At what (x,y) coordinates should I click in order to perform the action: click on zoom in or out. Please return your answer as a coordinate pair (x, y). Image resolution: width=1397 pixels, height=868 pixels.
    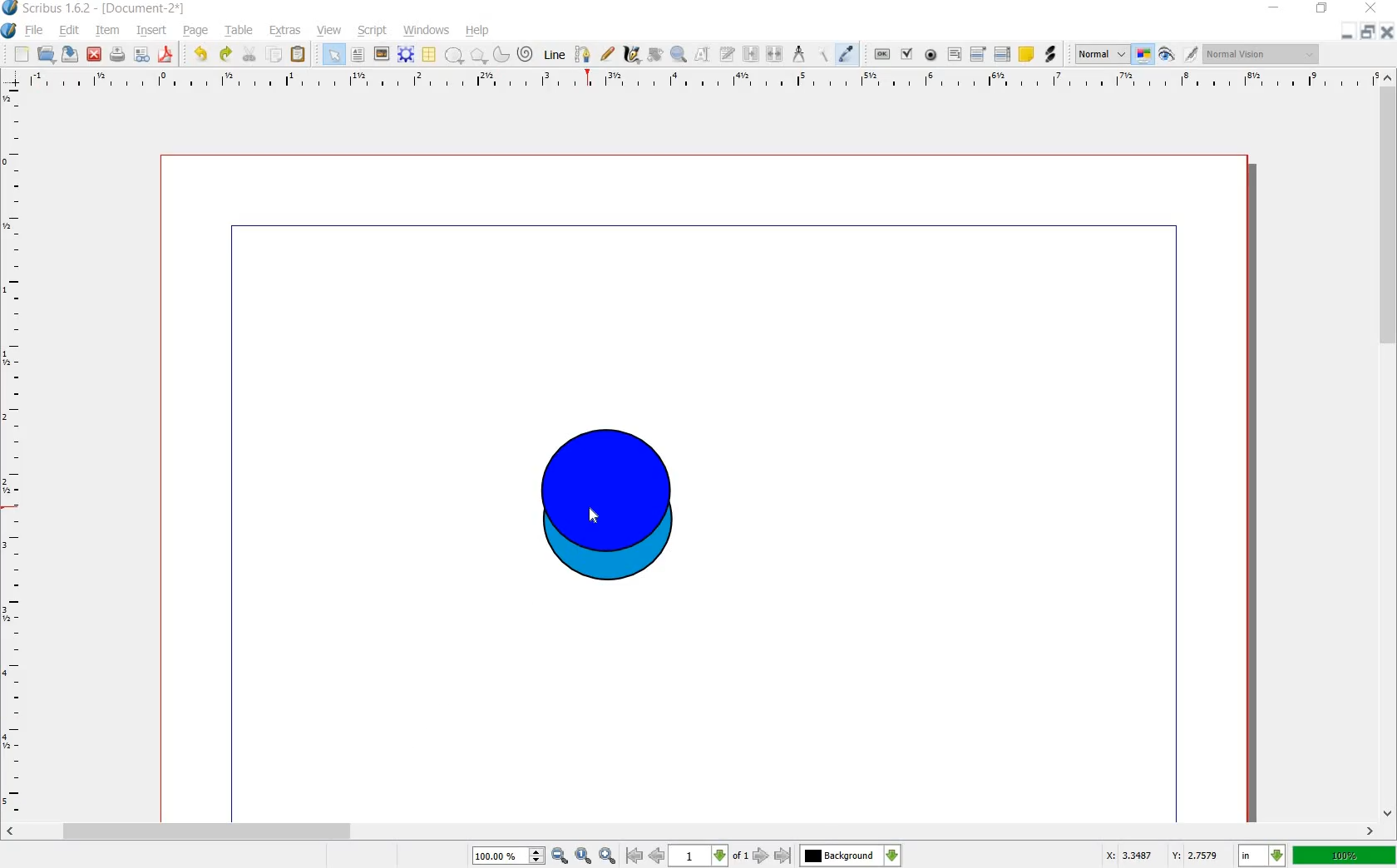
    Looking at the image, I should click on (679, 57).